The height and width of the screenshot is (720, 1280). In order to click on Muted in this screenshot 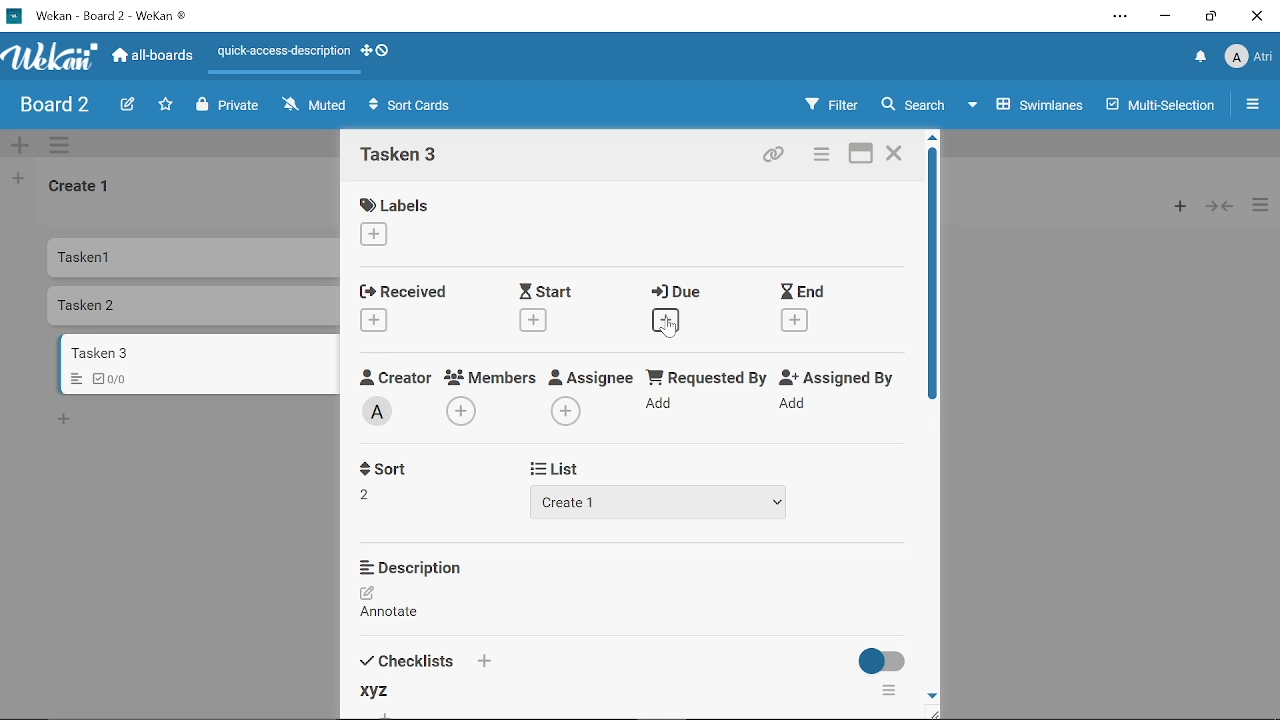, I will do `click(313, 106)`.